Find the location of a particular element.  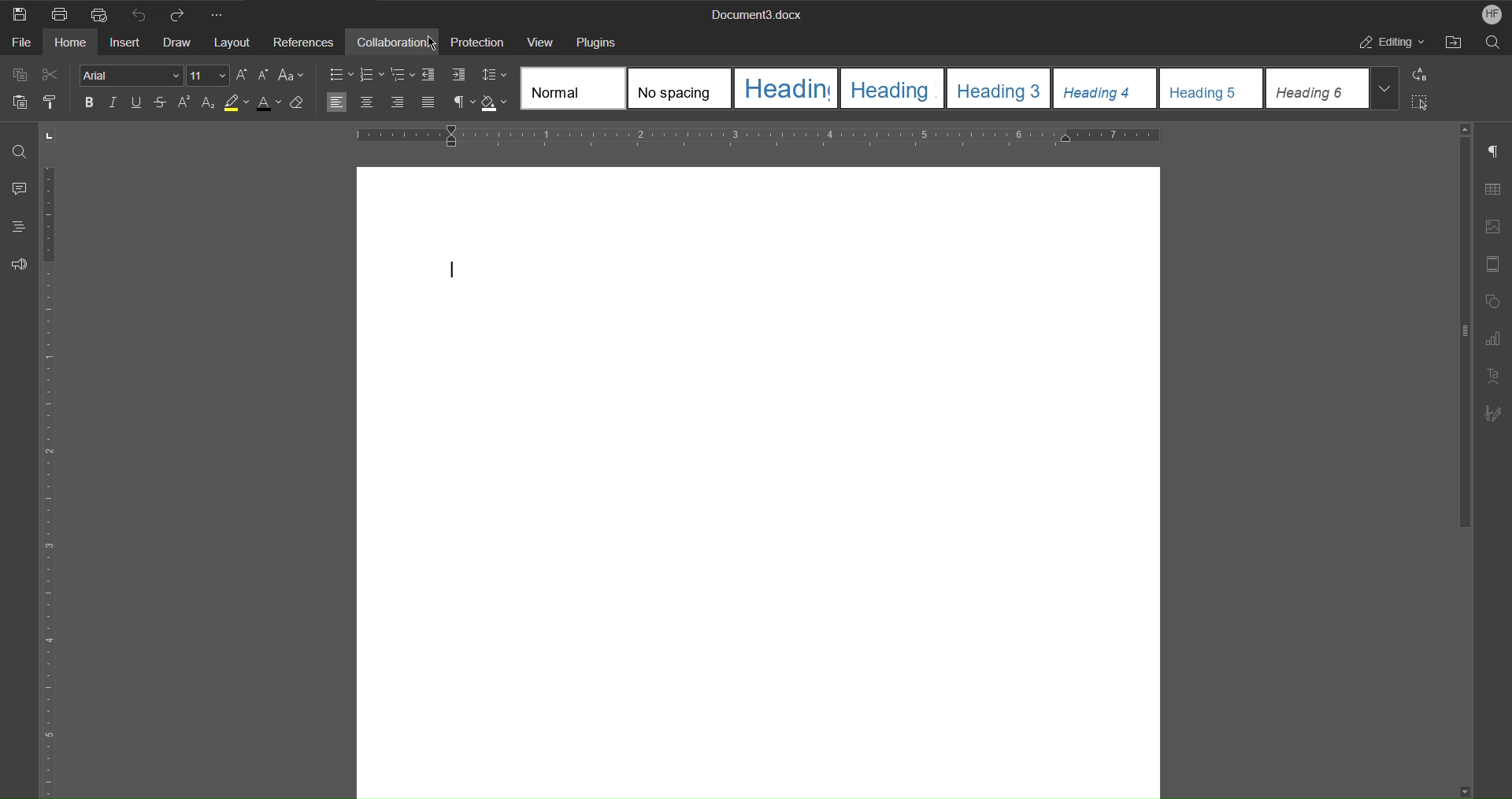

Font Size is located at coordinates (209, 75).